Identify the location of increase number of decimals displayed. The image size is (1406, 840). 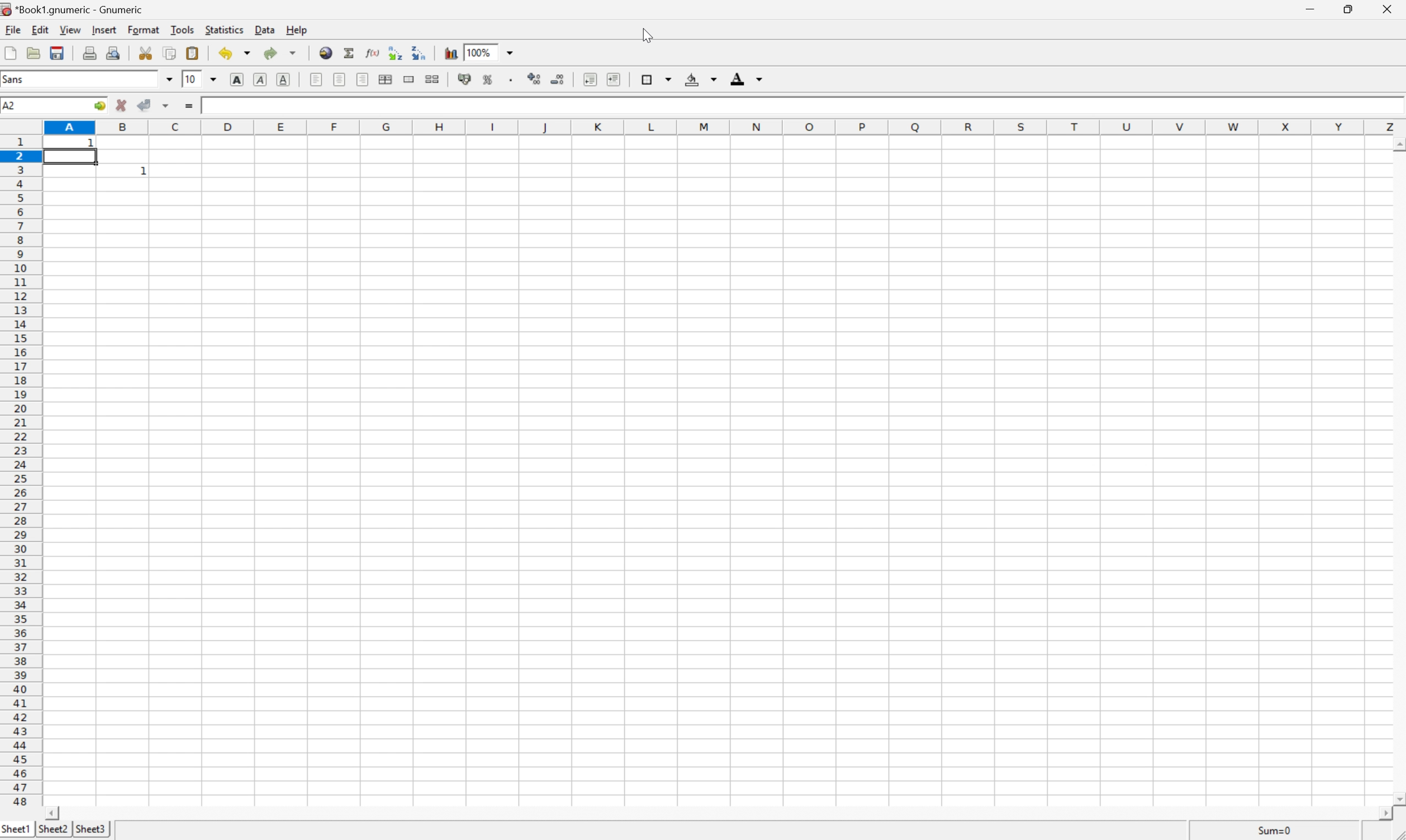
(535, 80).